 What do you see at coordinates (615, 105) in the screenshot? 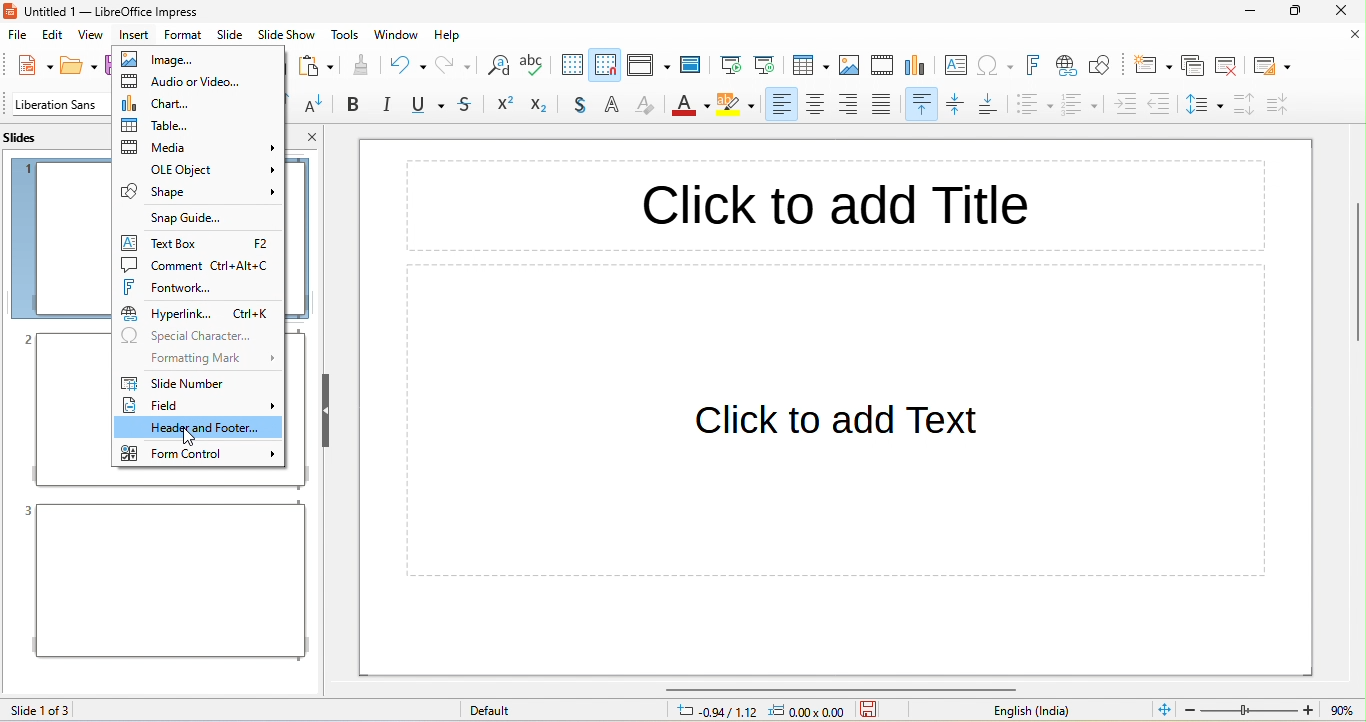
I see `apply outline attribute to font ` at bounding box center [615, 105].